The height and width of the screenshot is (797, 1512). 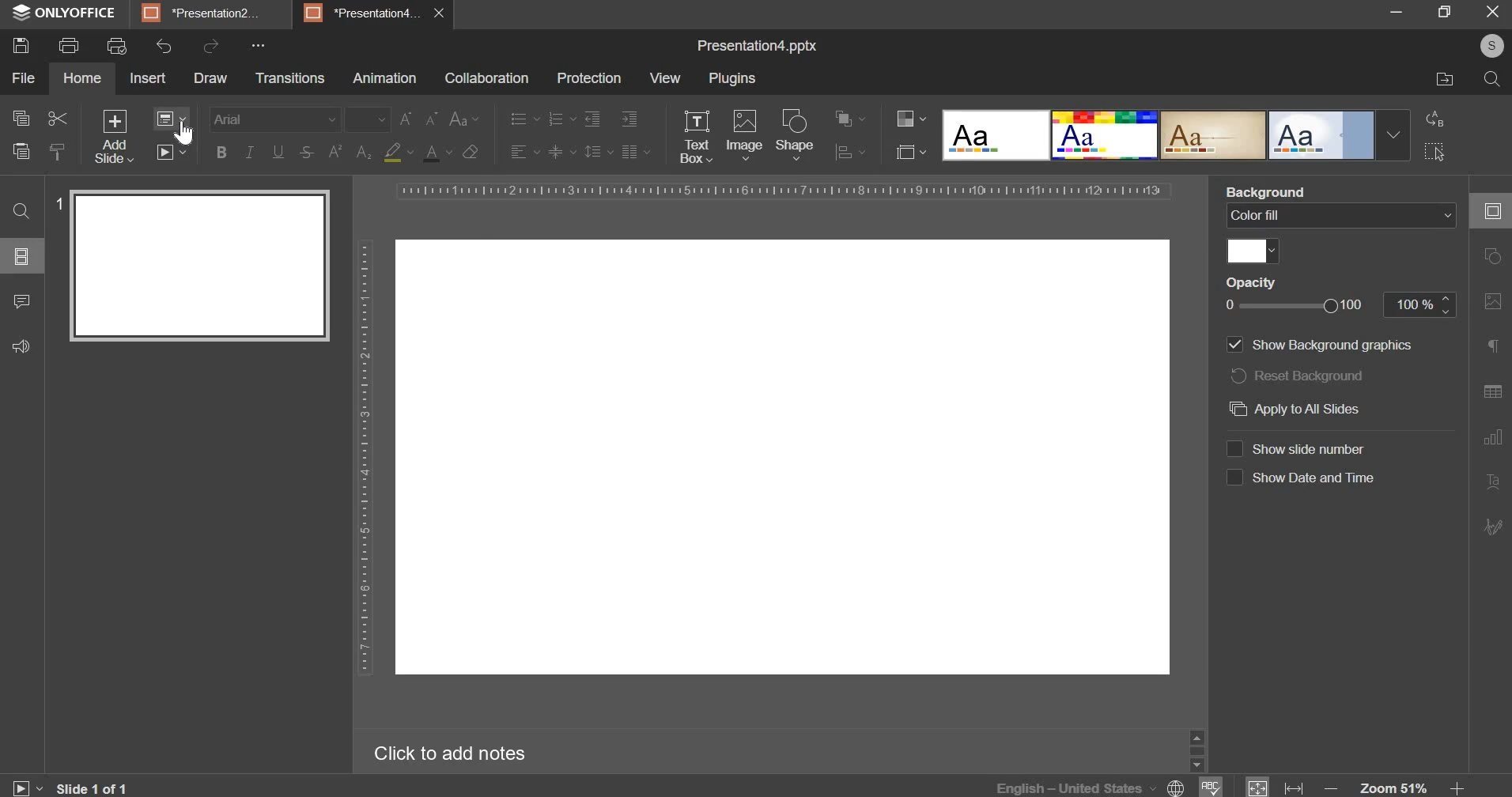 I want to click on numbering, so click(x=561, y=119).